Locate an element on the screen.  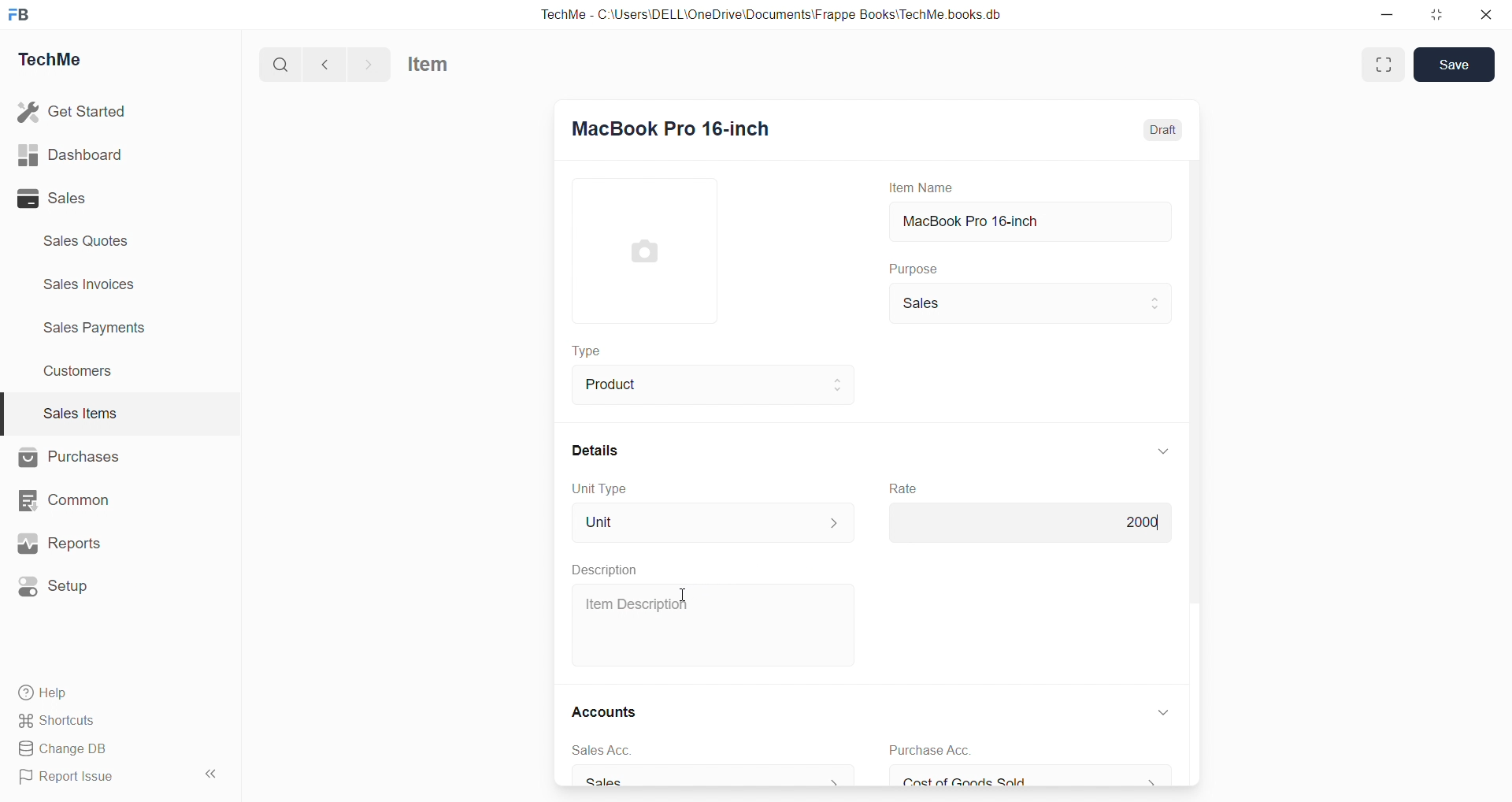
enlarge is located at coordinates (1384, 65).